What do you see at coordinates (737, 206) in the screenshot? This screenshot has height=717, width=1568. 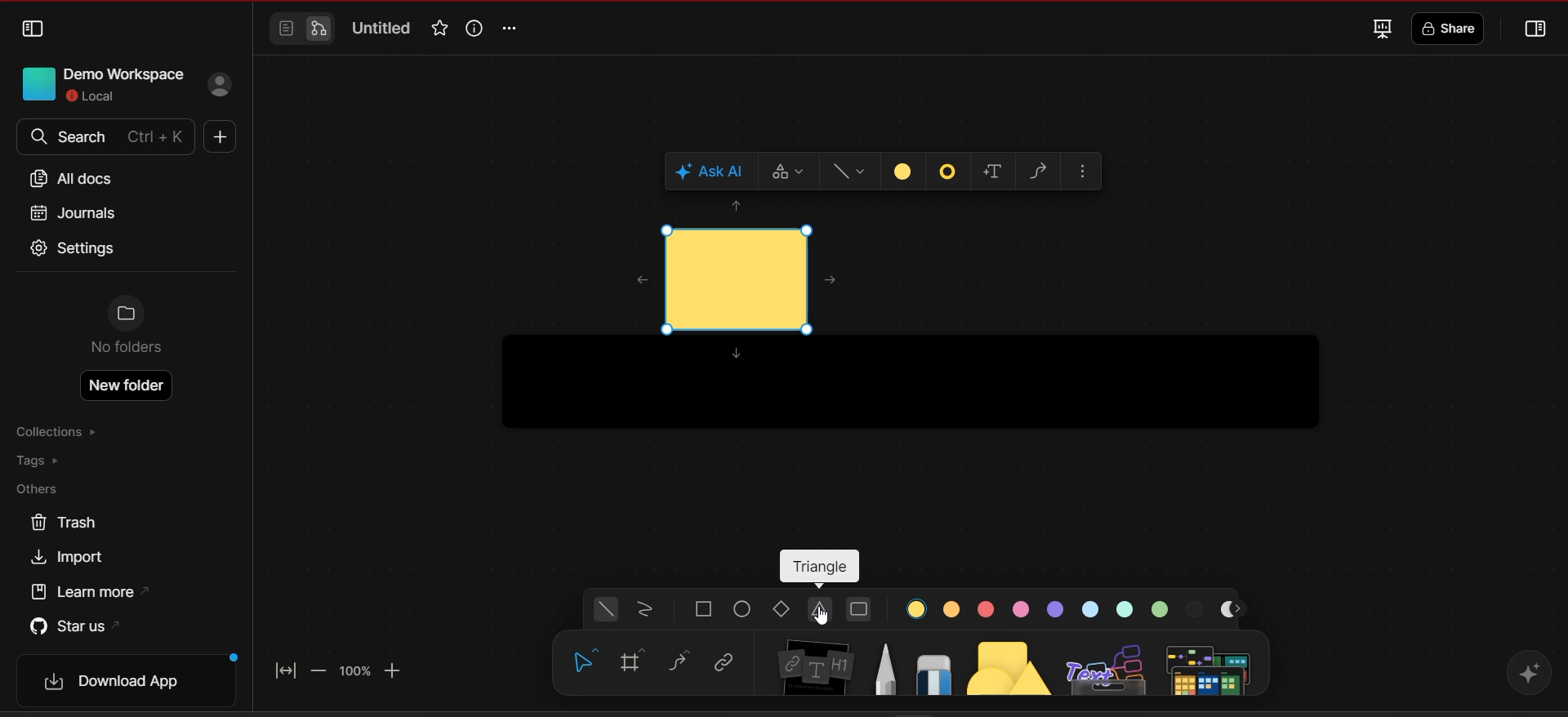 I see `move  up` at bounding box center [737, 206].